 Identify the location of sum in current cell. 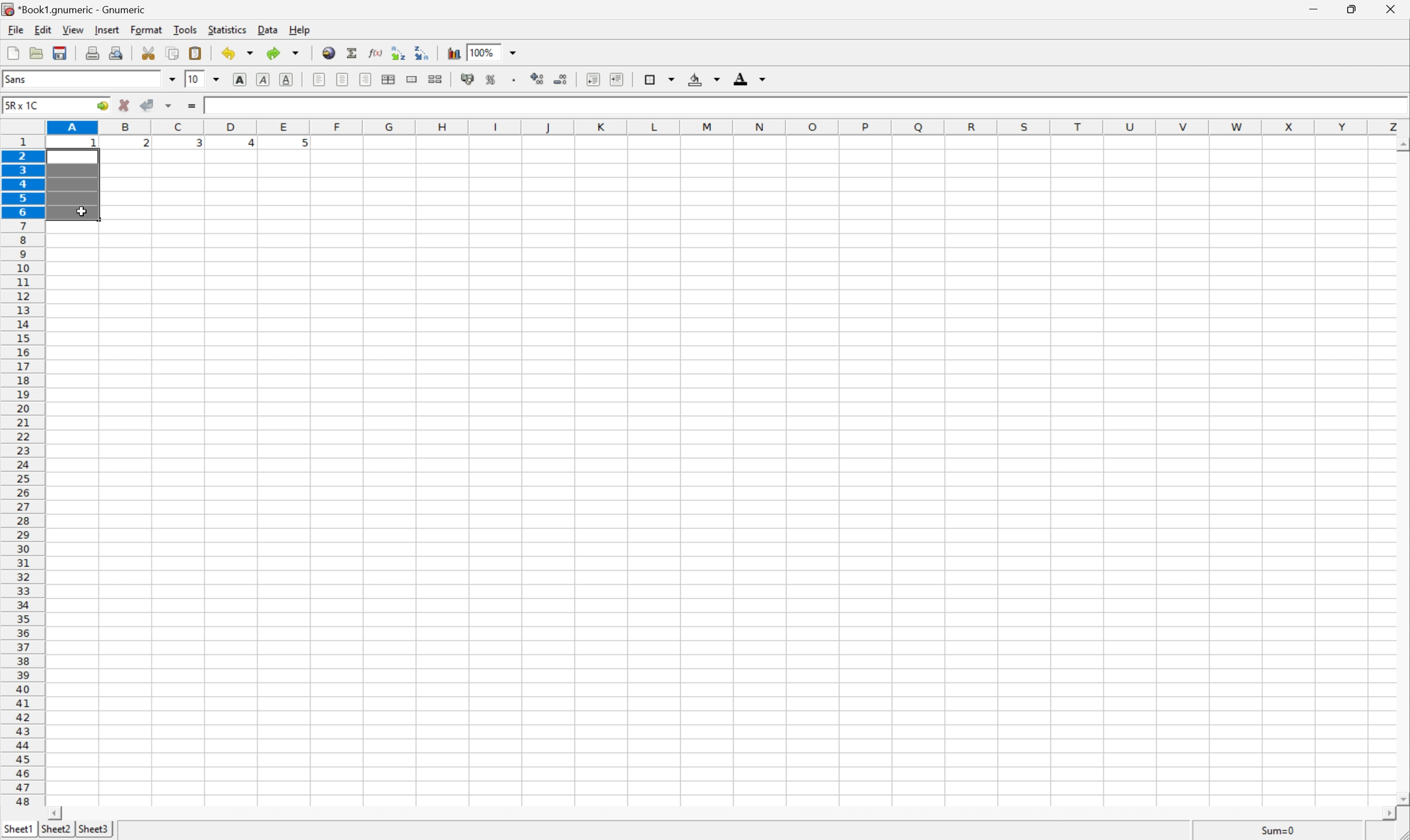
(354, 53).